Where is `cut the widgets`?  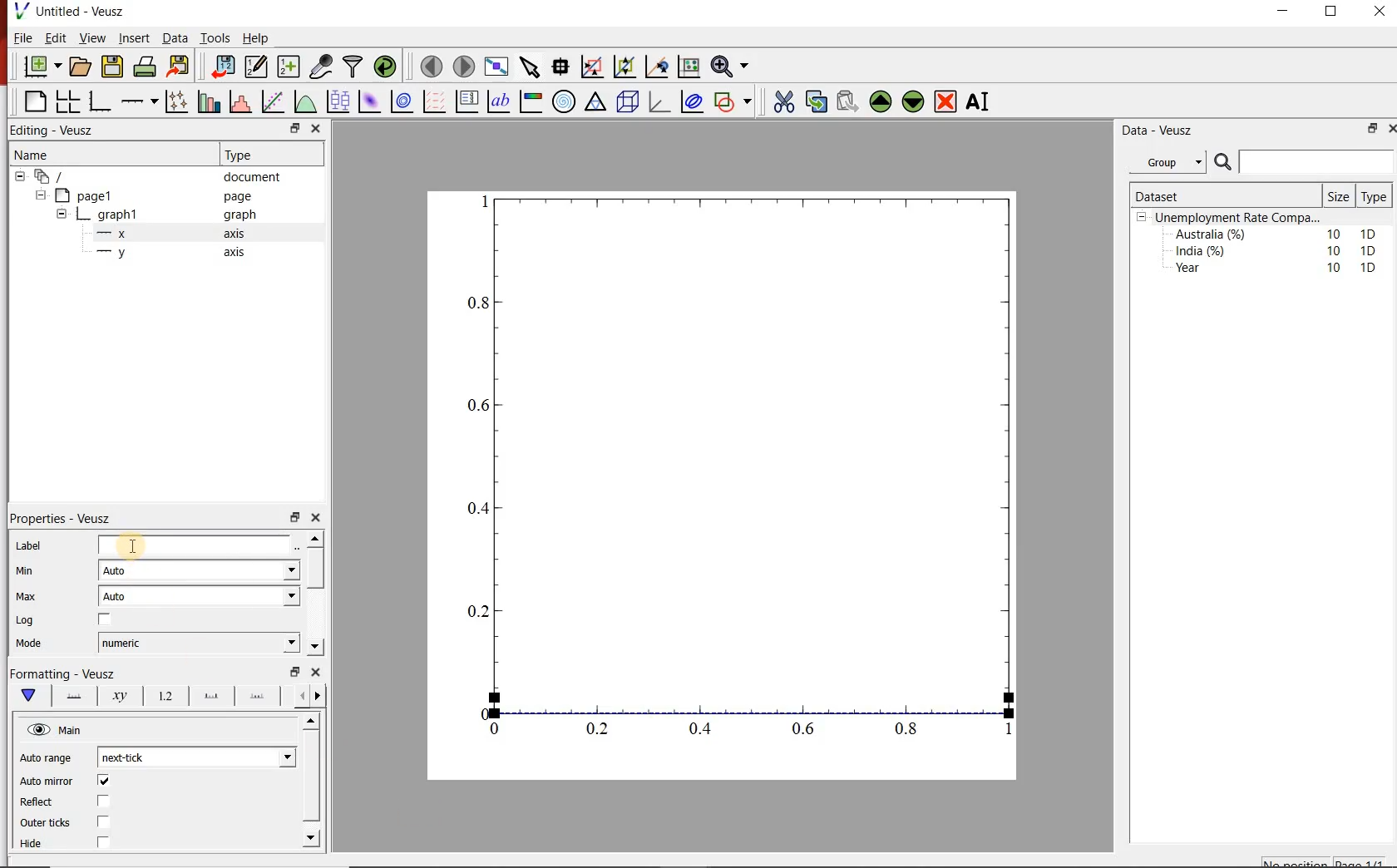
cut the widgets is located at coordinates (784, 101).